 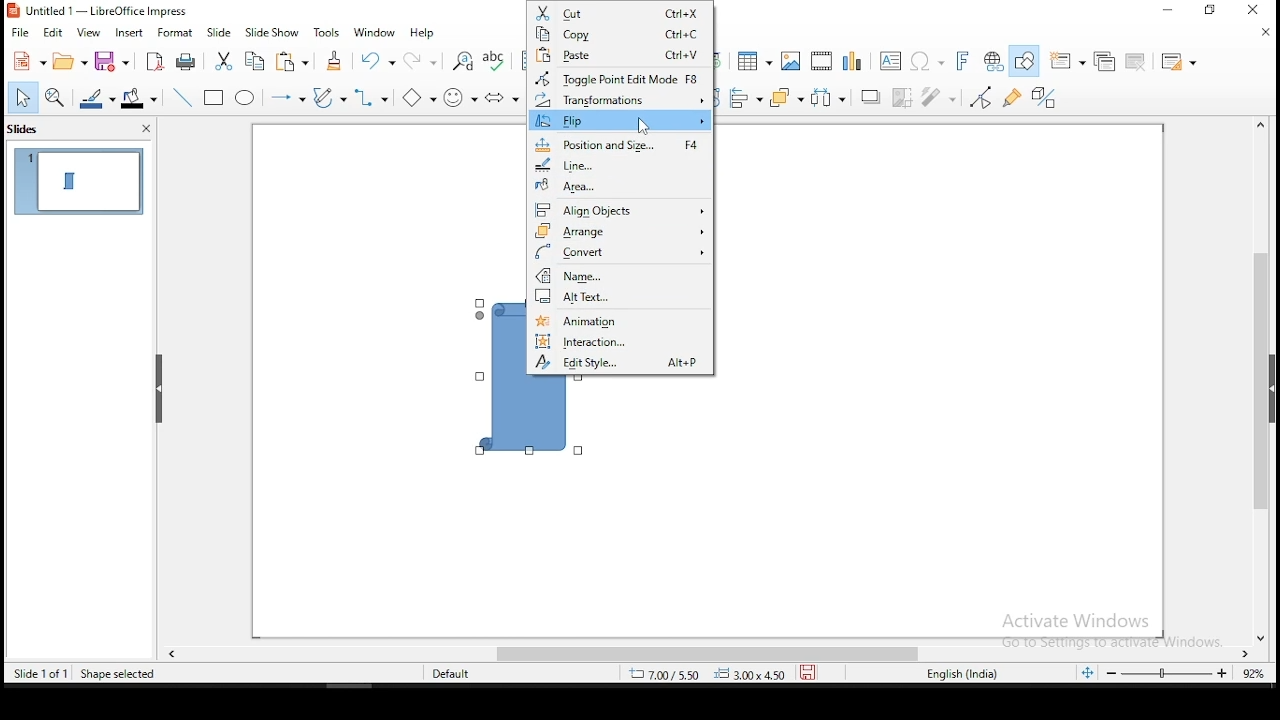 I want to click on line color, so click(x=98, y=97).